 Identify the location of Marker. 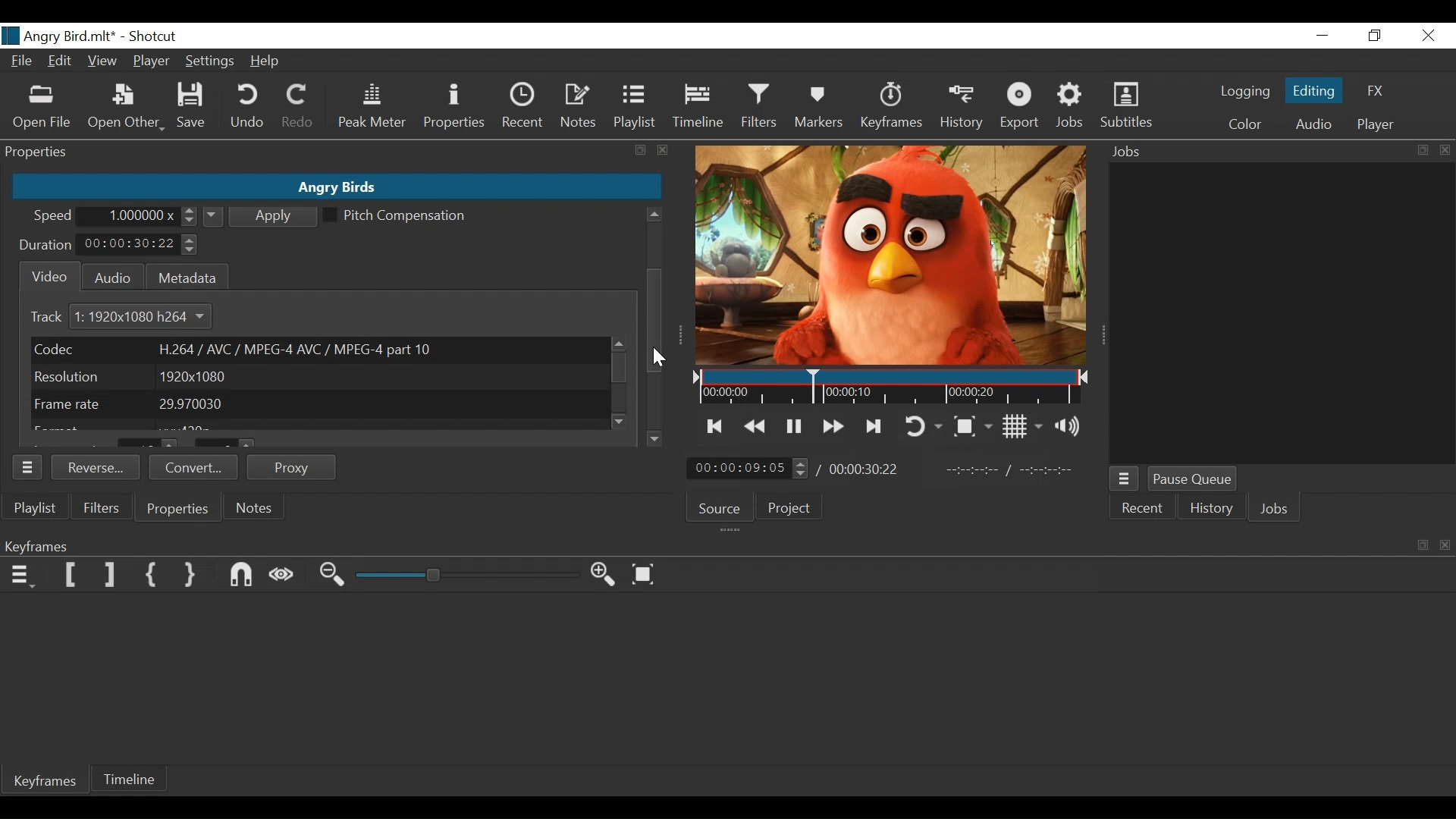
(822, 108).